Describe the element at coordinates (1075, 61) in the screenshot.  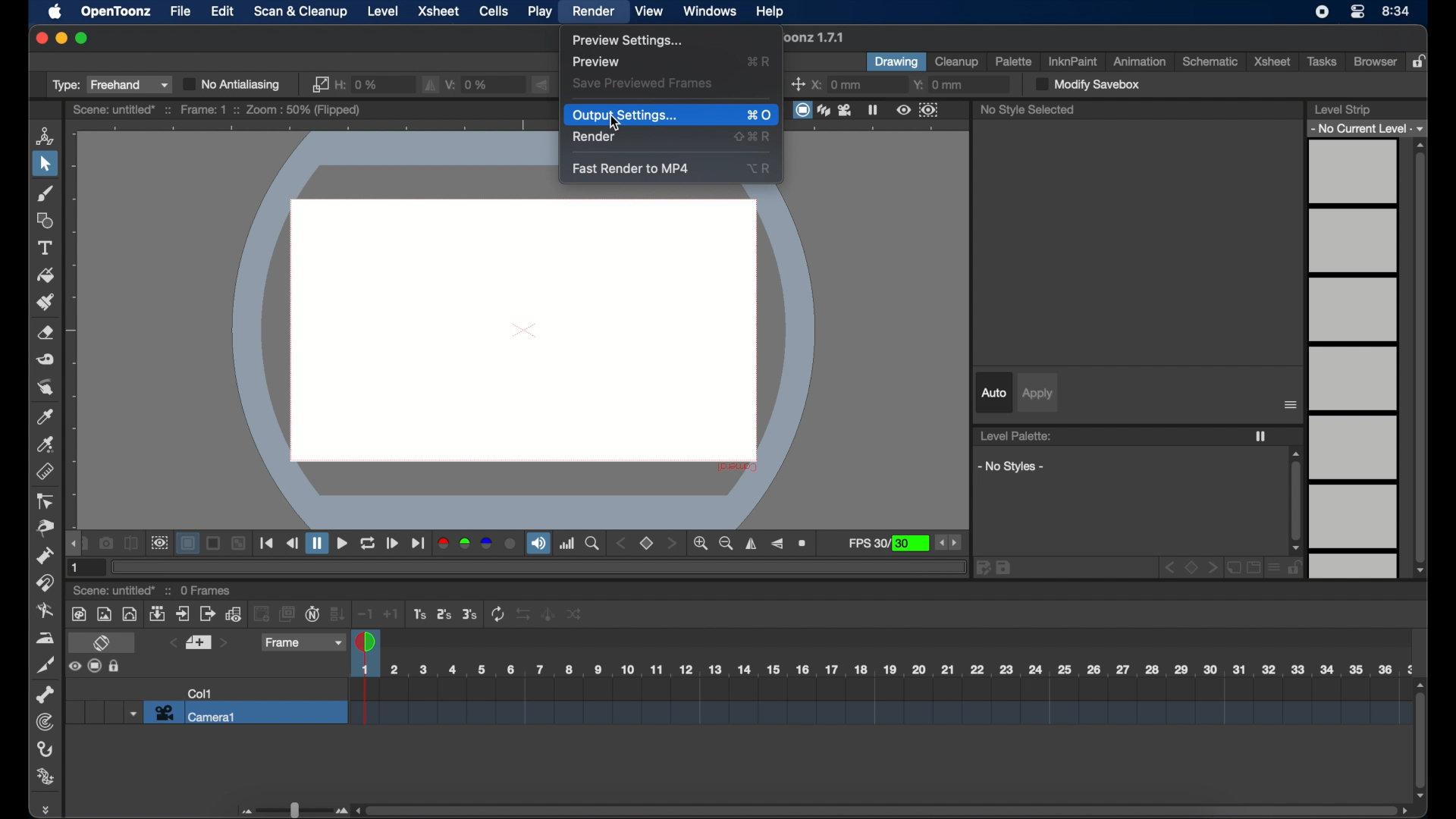
I see `inkinpaint` at that location.